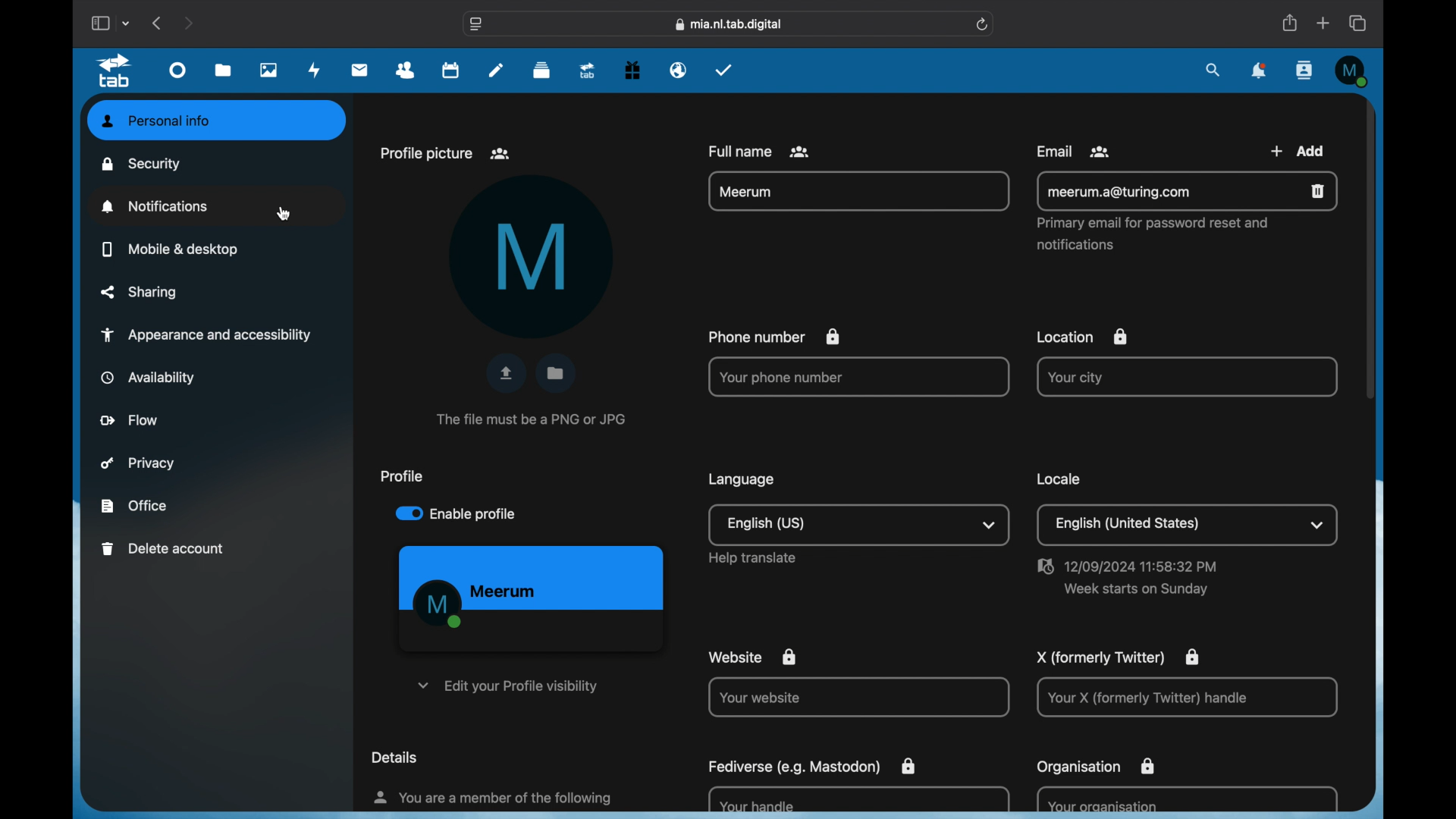 The height and width of the screenshot is (819, 1456). I want to click on profile, so click(1350, 68).